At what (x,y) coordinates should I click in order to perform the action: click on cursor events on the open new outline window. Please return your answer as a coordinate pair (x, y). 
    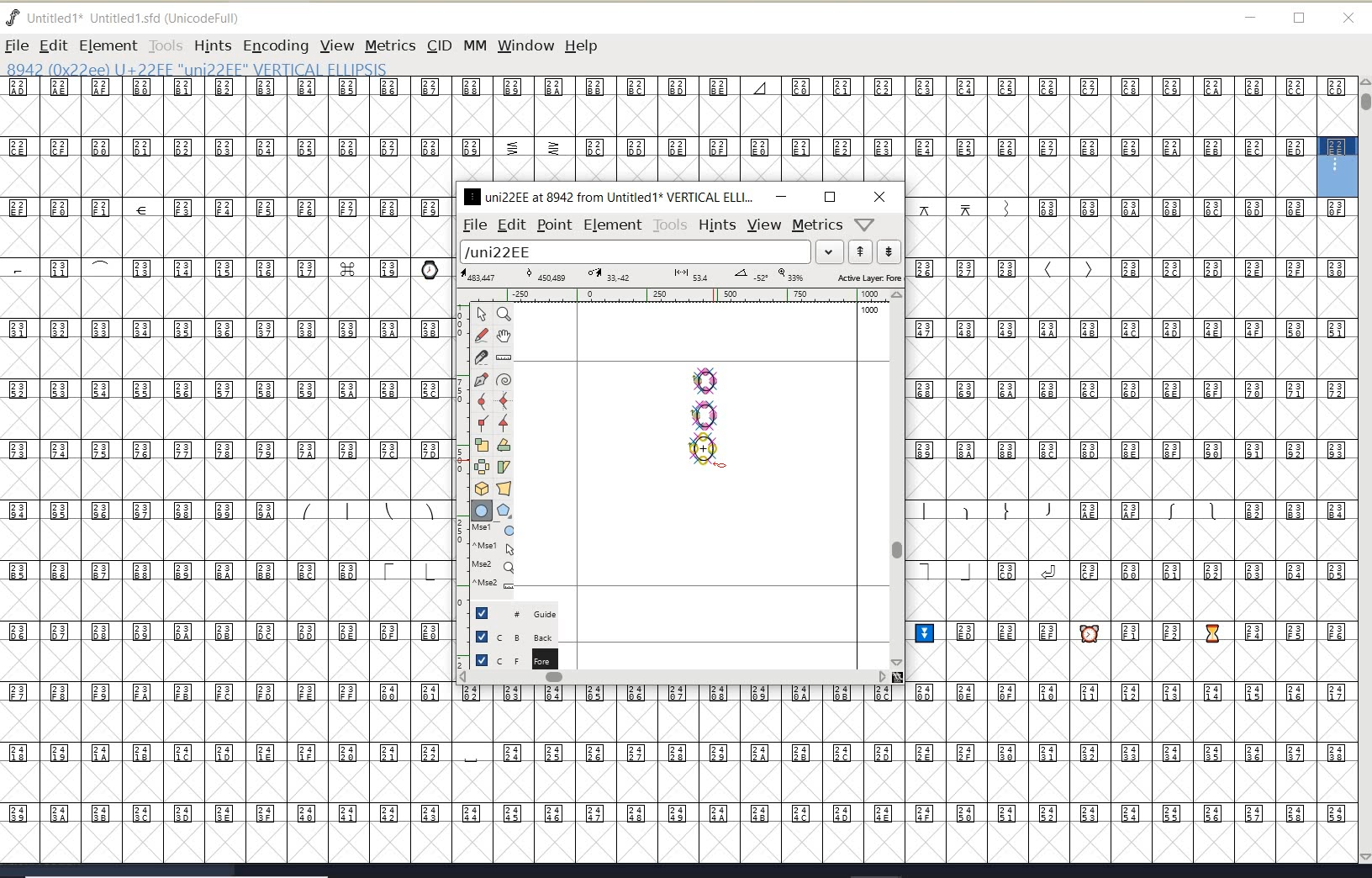
    Looking at the image, I should click on (495, 557).